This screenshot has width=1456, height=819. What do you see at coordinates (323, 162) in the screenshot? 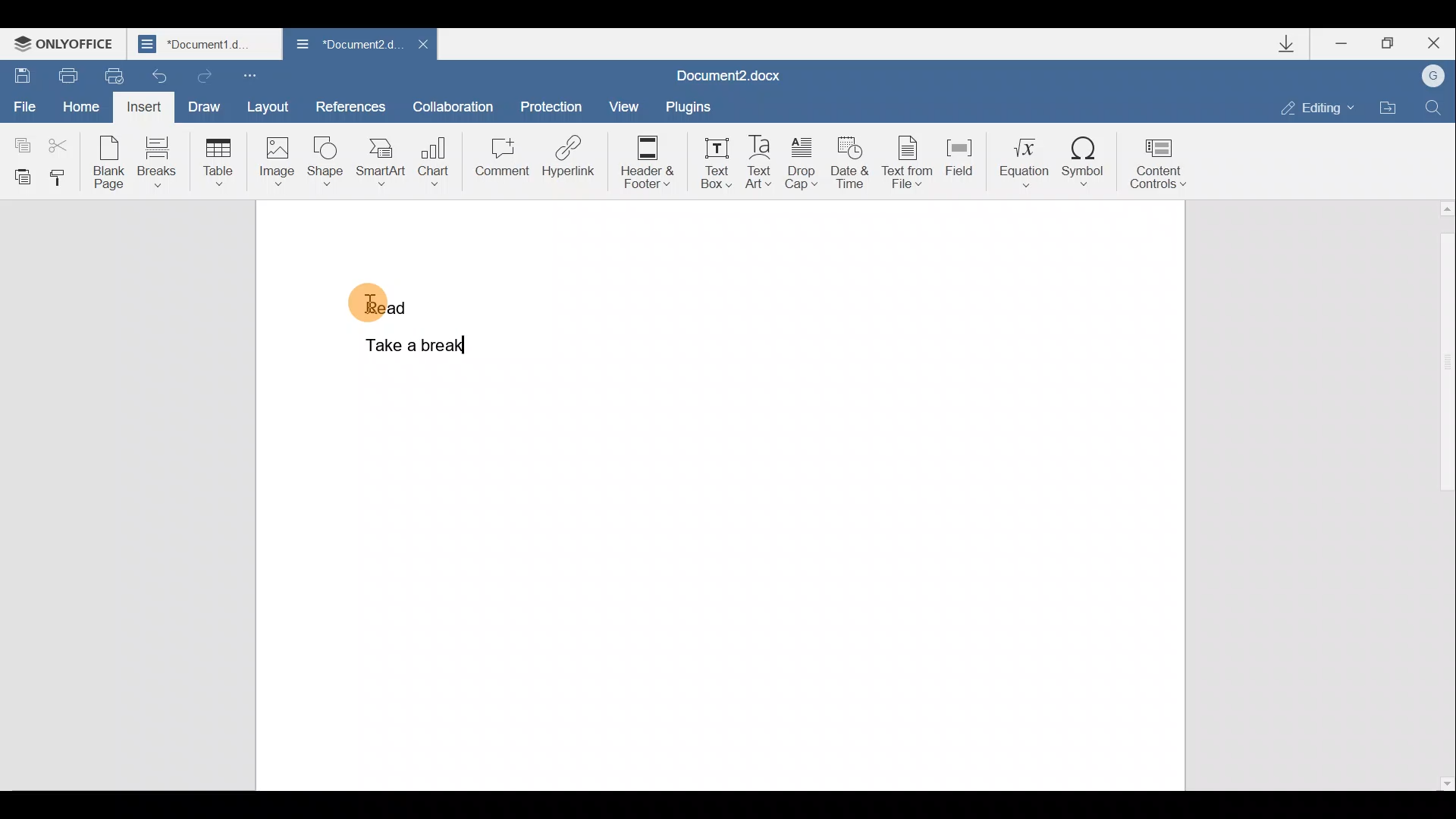
I see `Shape` at bounding box center [323, 162].